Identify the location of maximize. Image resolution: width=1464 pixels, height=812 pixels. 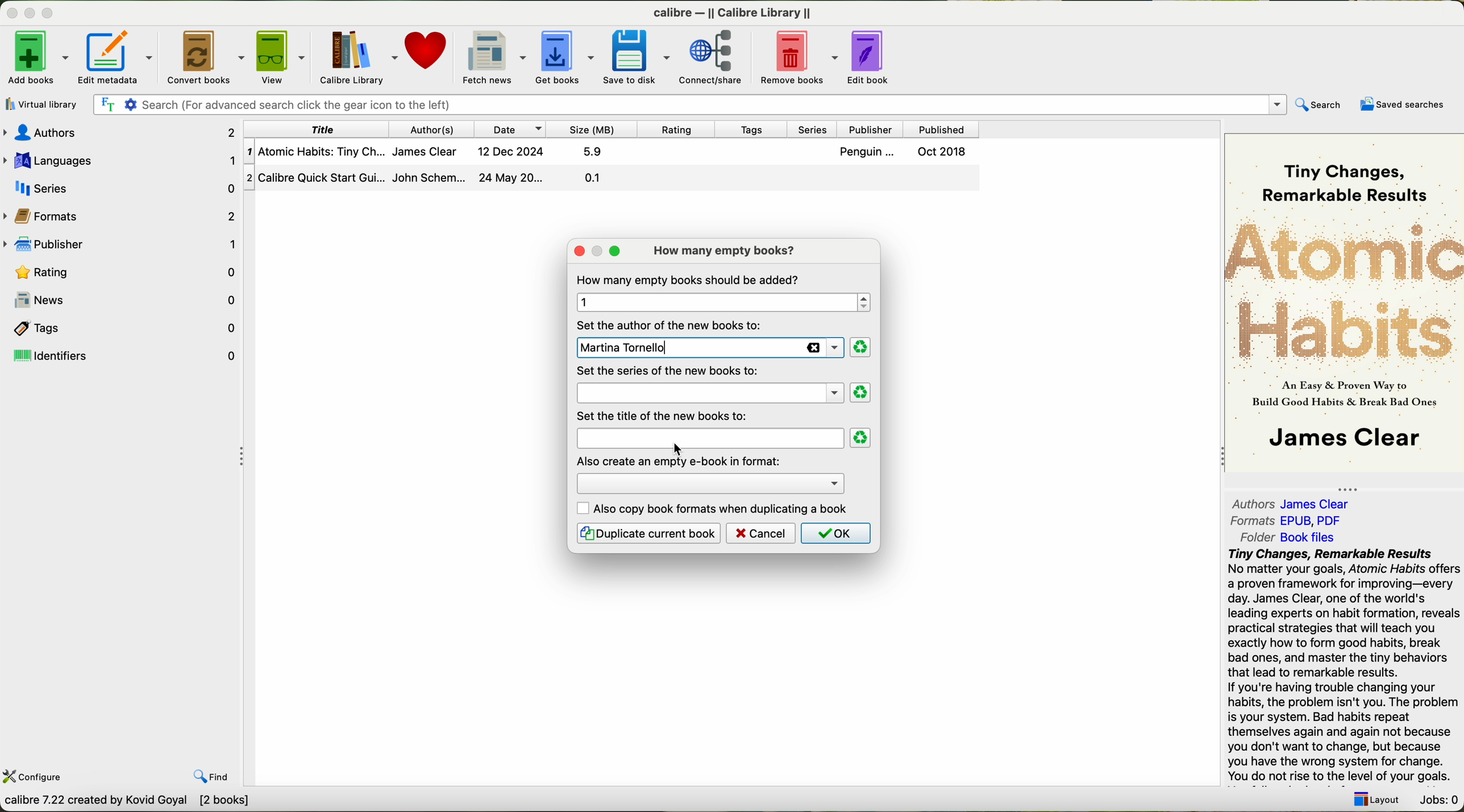
(49, 12).